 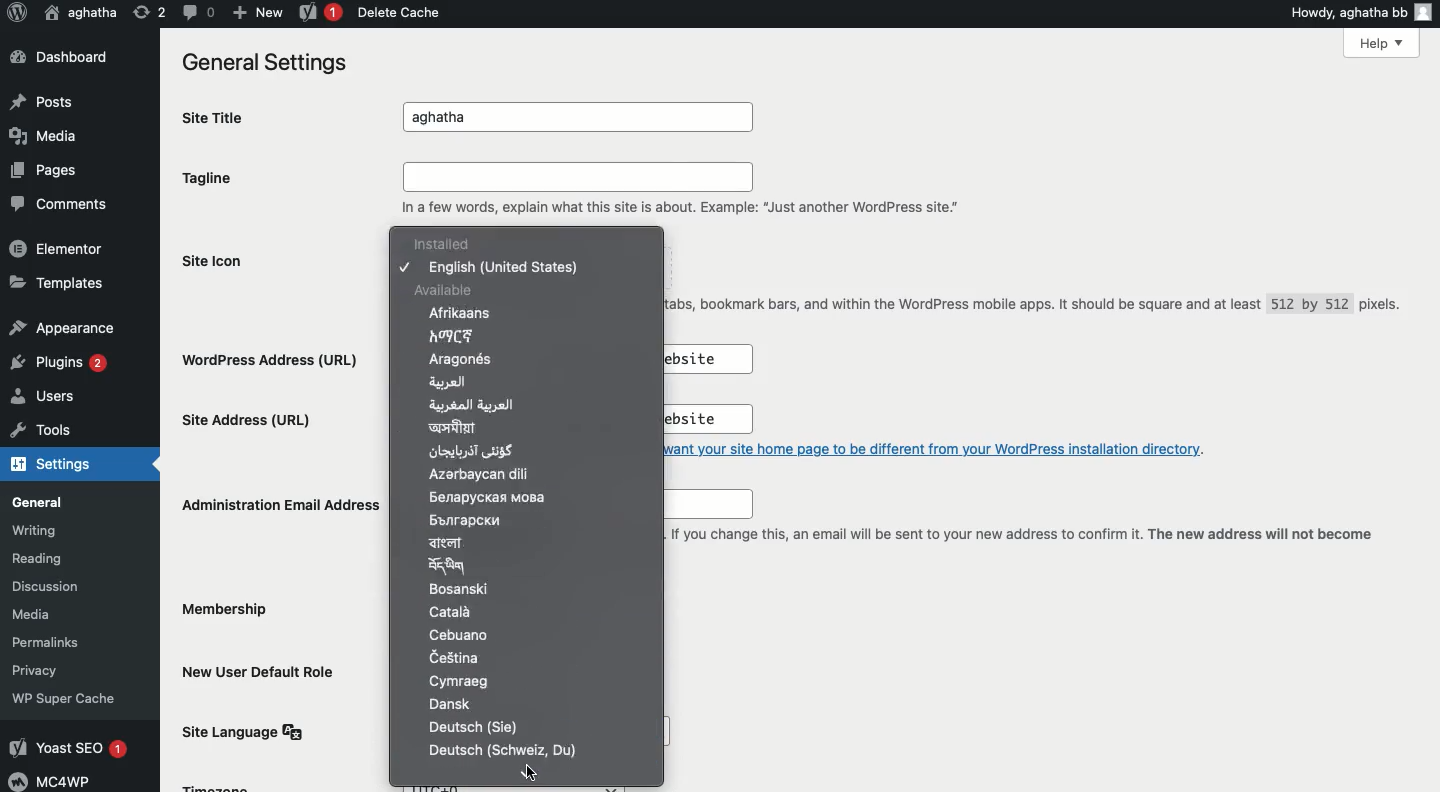 I want to click on Yoast, so click(x=321, y=11).